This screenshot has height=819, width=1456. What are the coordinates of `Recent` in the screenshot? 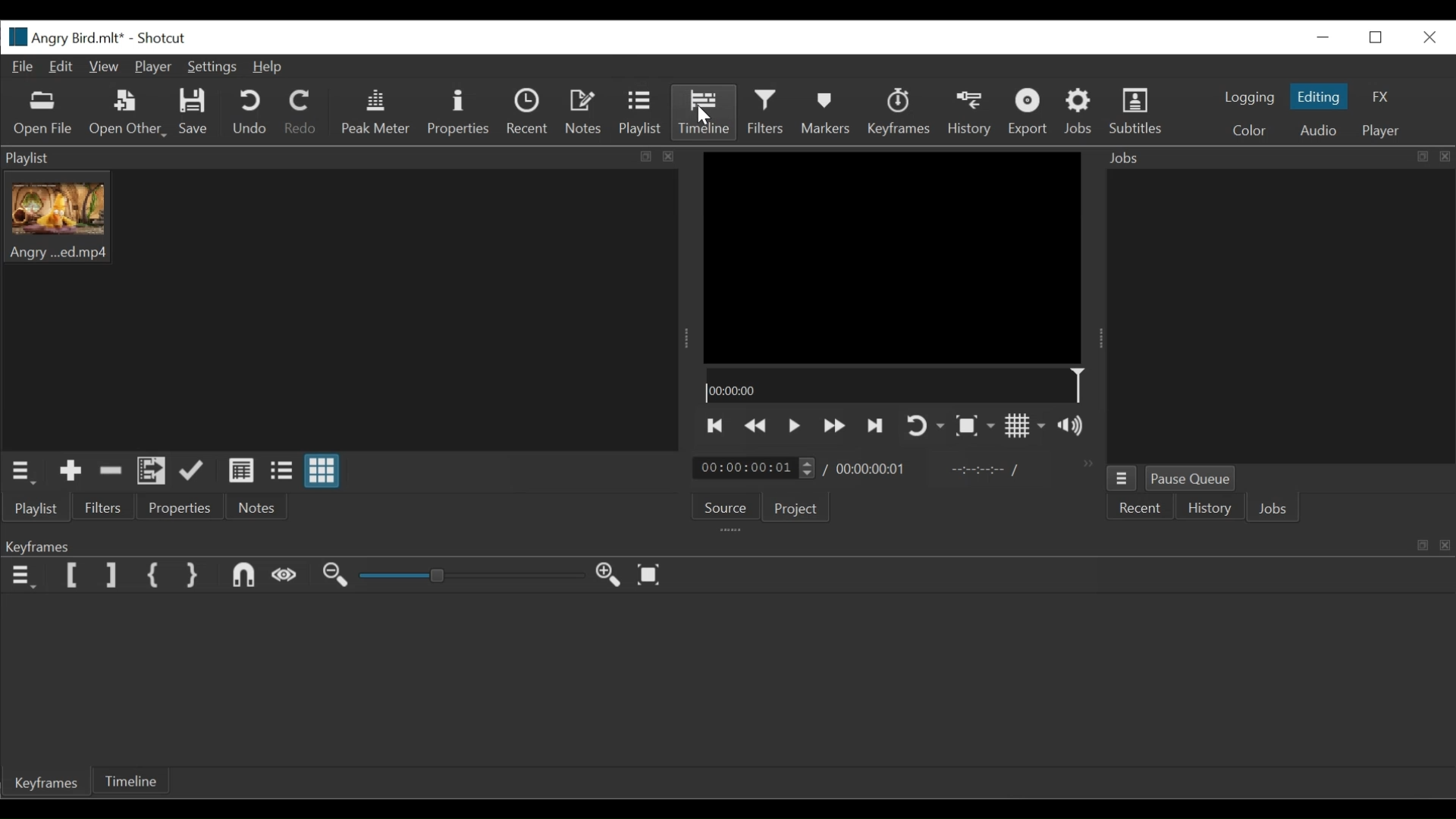 It's located at (529, 112).